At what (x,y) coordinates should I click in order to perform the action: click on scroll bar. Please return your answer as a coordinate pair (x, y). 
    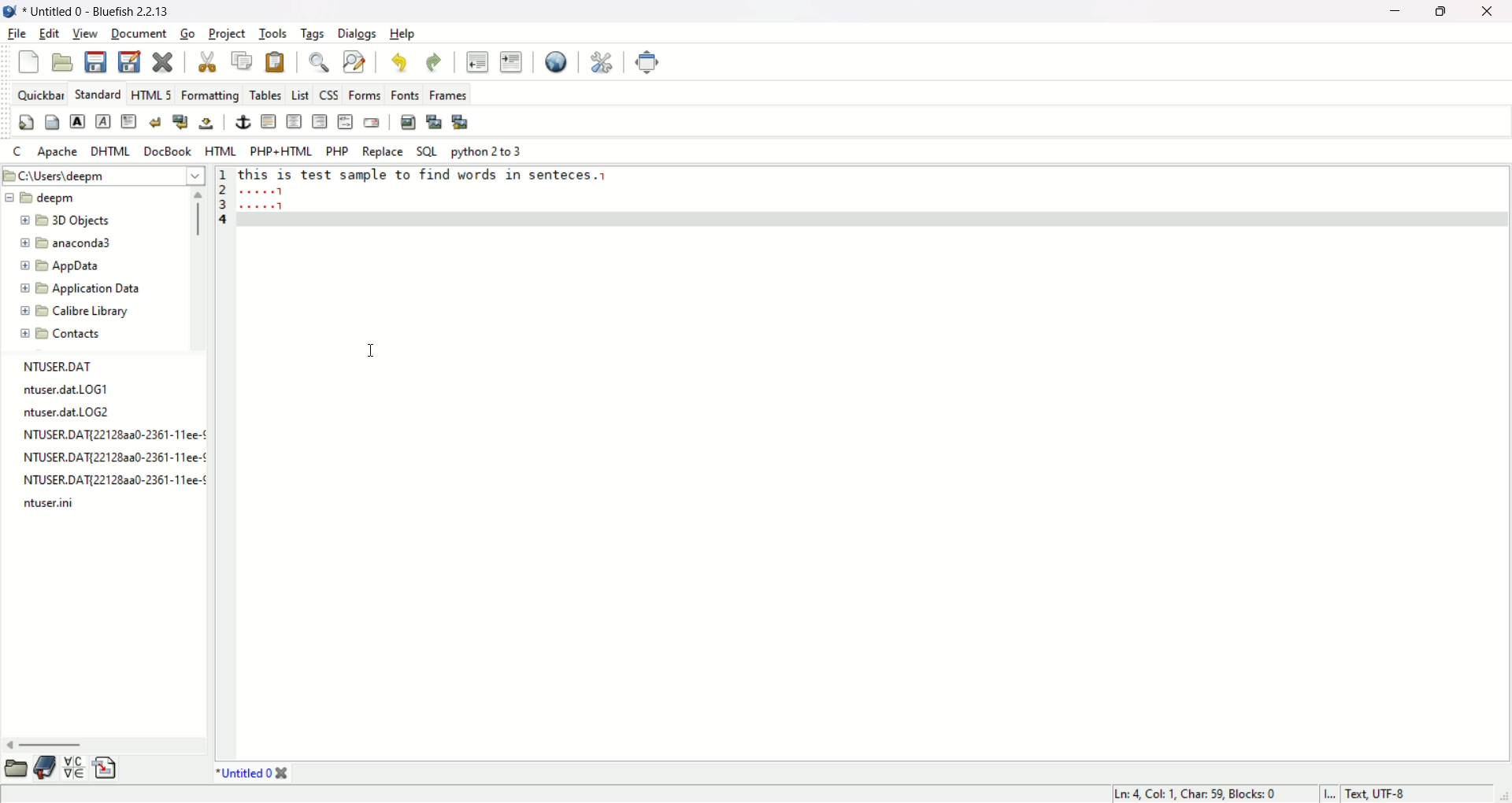
    Looking at the image, I should click on (104, 744).